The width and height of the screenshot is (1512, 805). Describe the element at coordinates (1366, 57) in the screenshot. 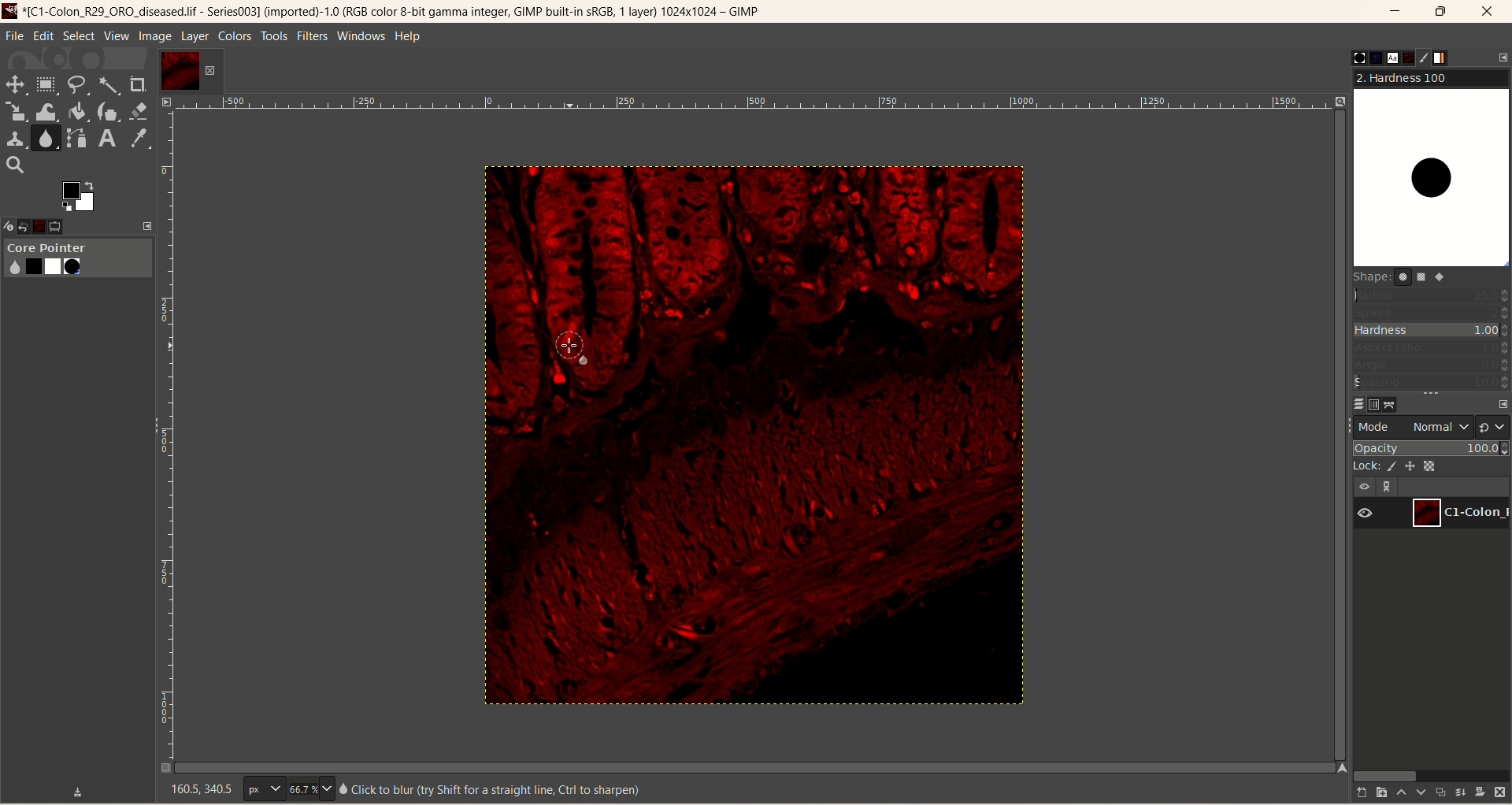

I see `pattern` at that location.